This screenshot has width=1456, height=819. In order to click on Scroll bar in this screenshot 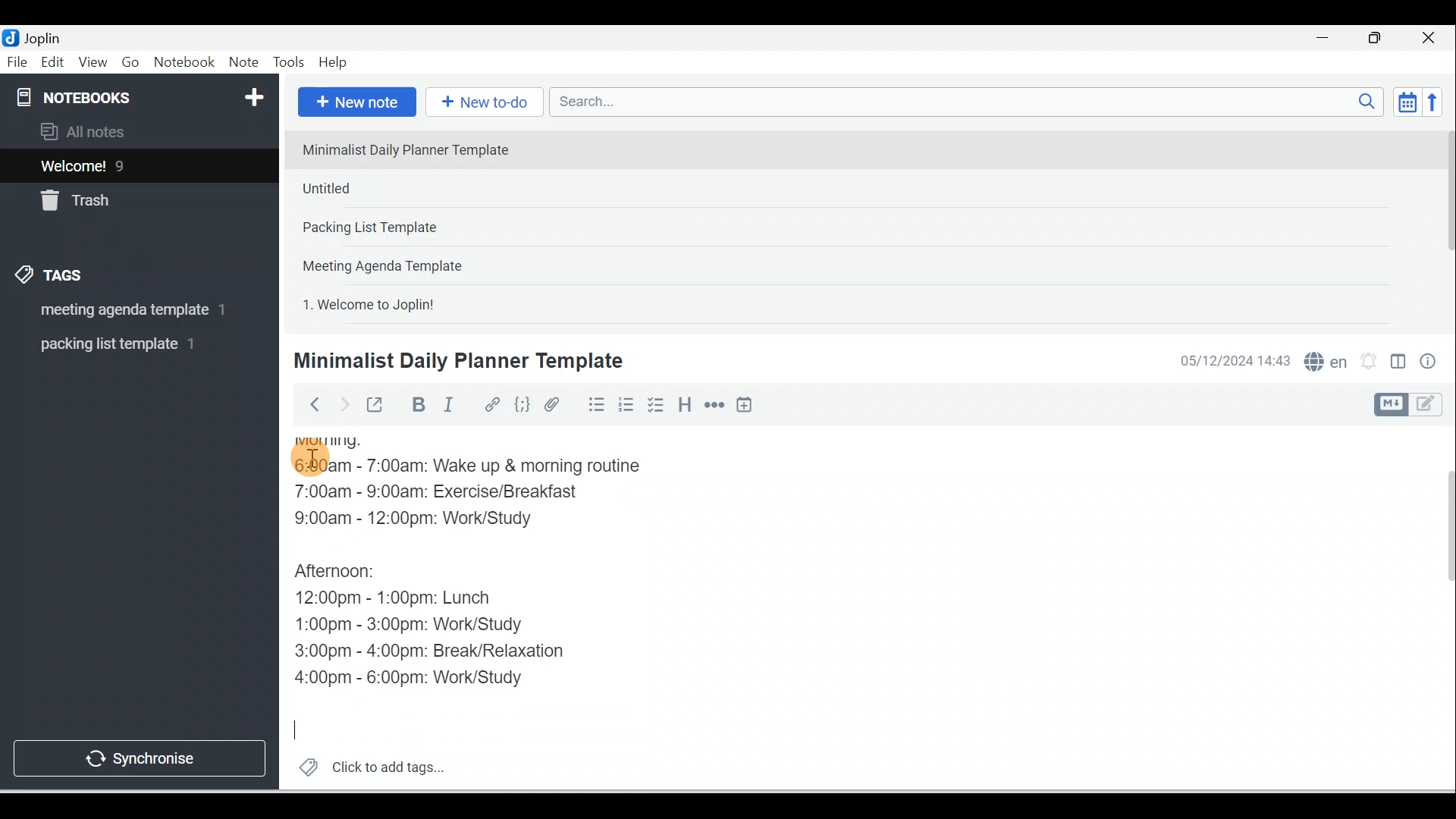, I will do `click(1439, 608)`.